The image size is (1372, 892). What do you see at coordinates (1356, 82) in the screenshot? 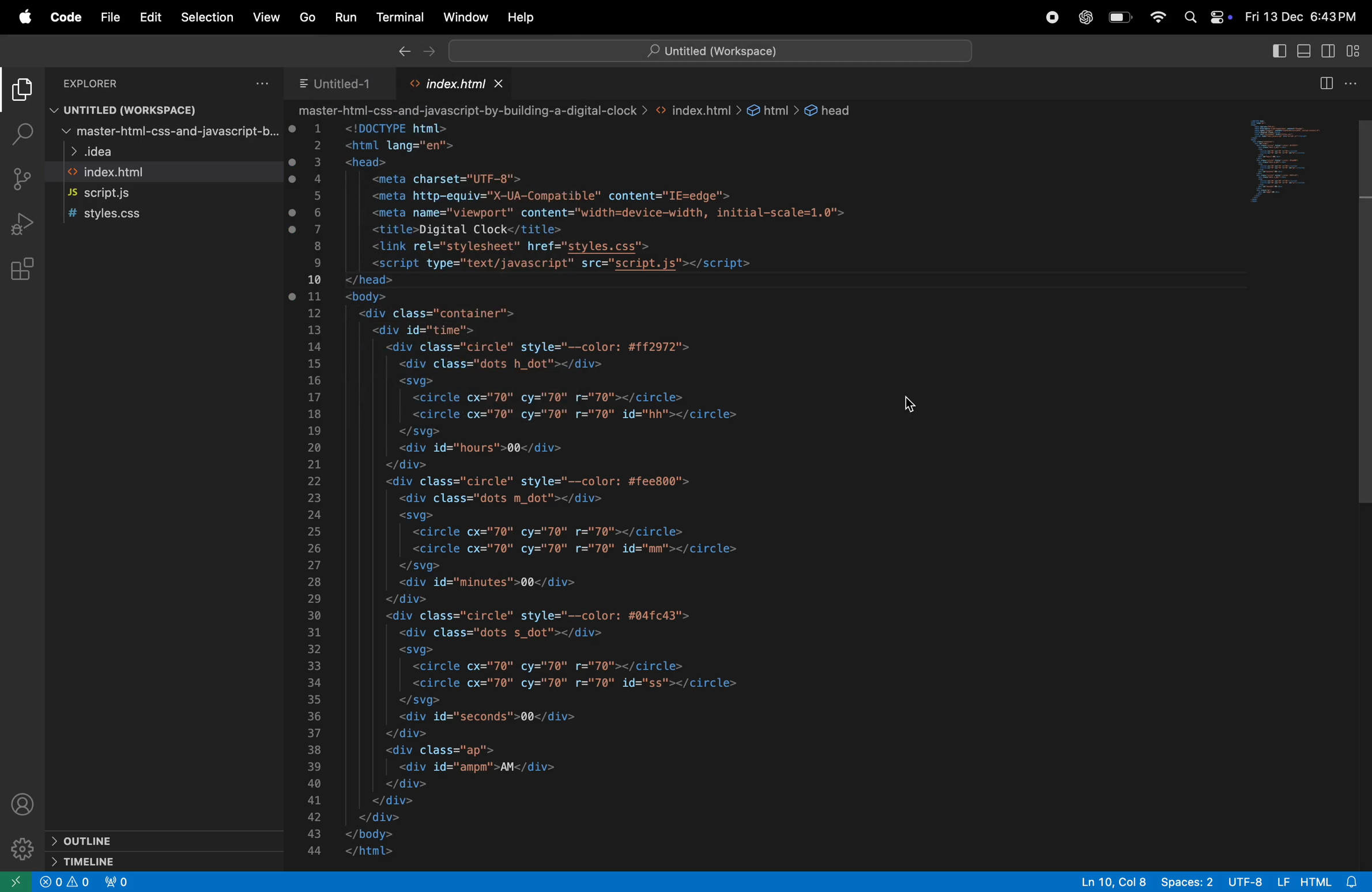
I see `options` at bounding box center [1356, 82].